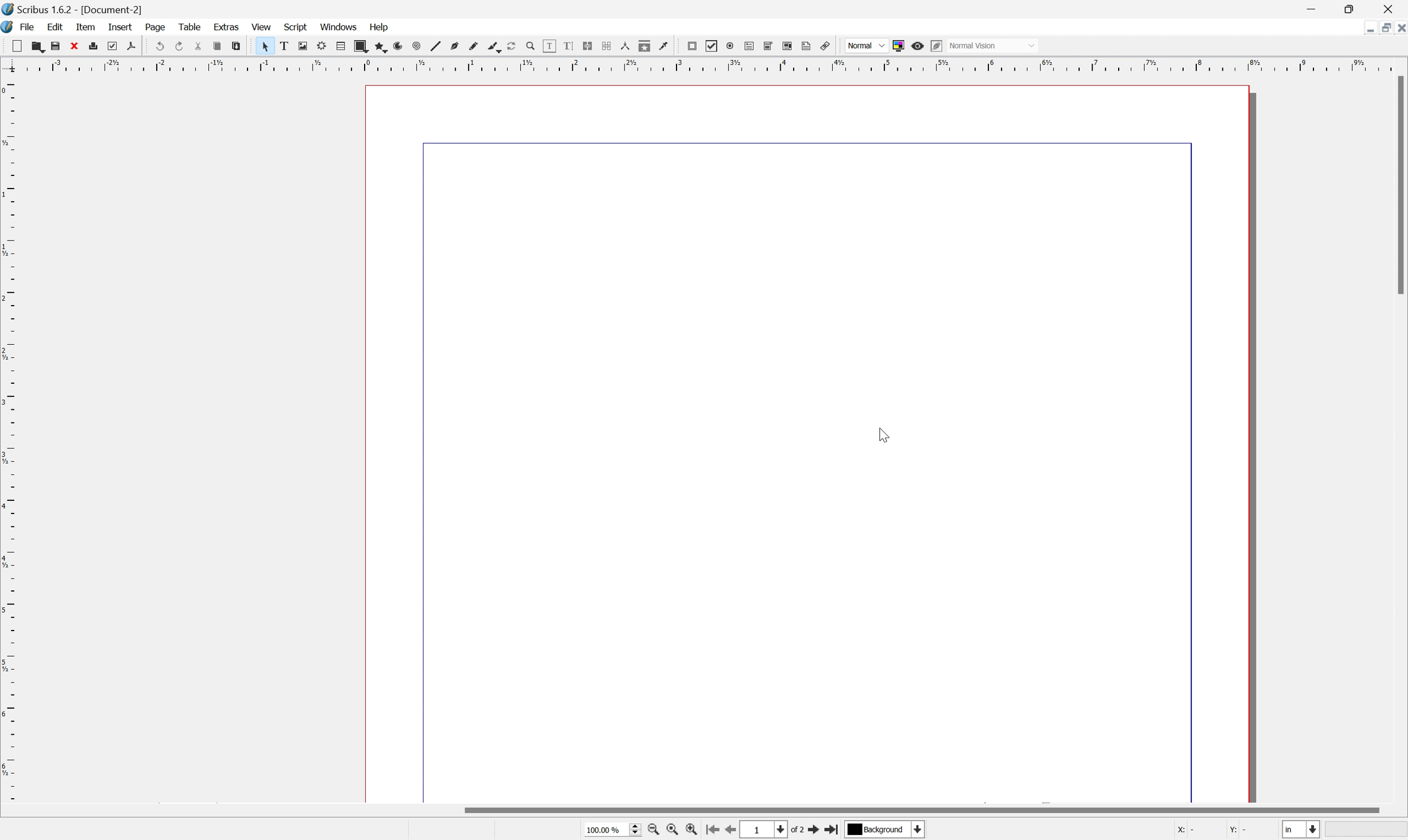 The height and width of the screenshot is (840, 1408). Describe the element at coordinates (654, 830) in the screenshot. I see `zoom out` at that location.